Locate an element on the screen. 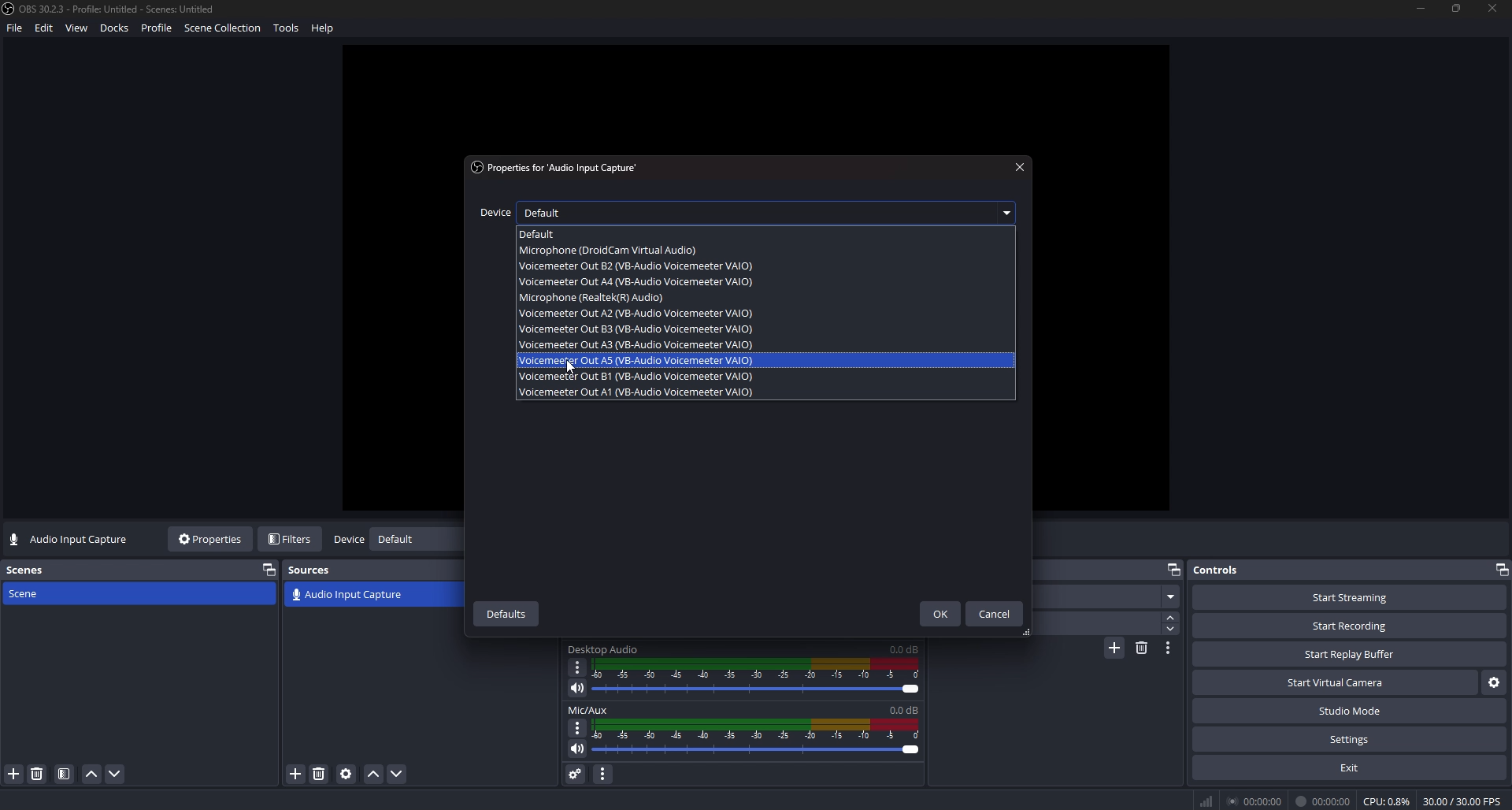  move scene up is located at coordinates (91, 775).